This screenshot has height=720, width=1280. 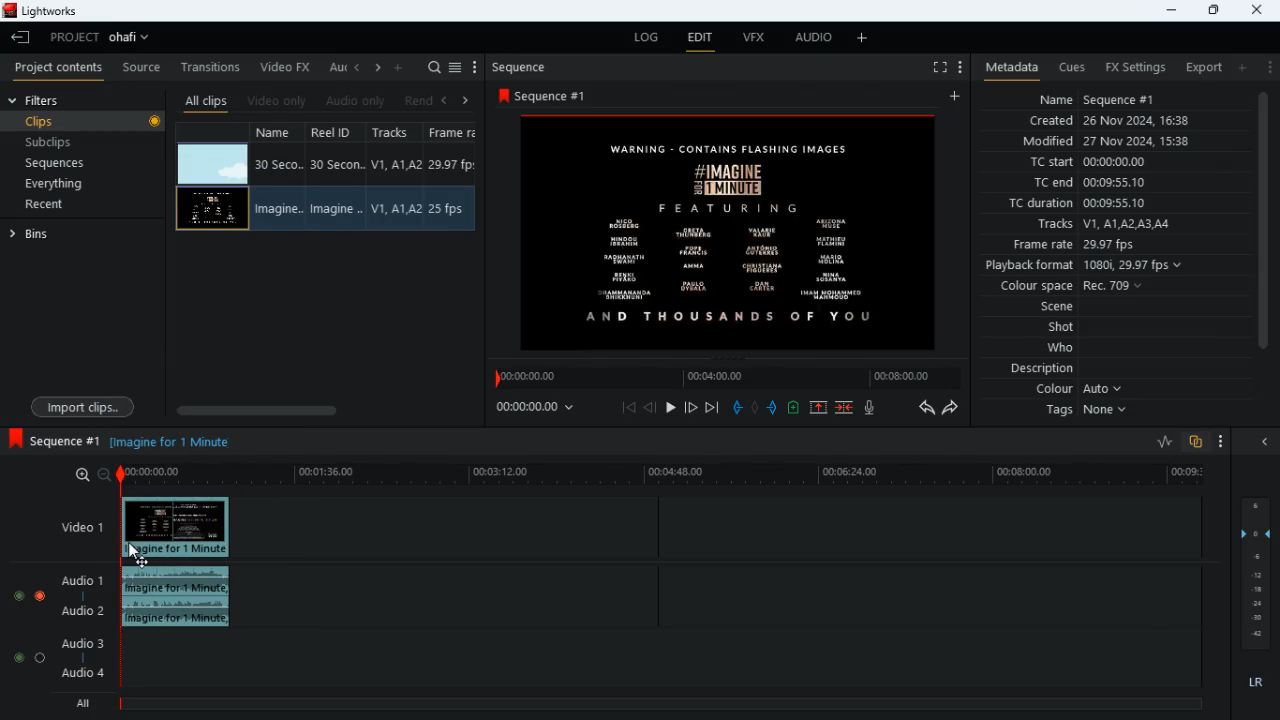 What do you see at coordinates (378, 68) in the screenshot?
I see `right` at bounding box center [378, 68].